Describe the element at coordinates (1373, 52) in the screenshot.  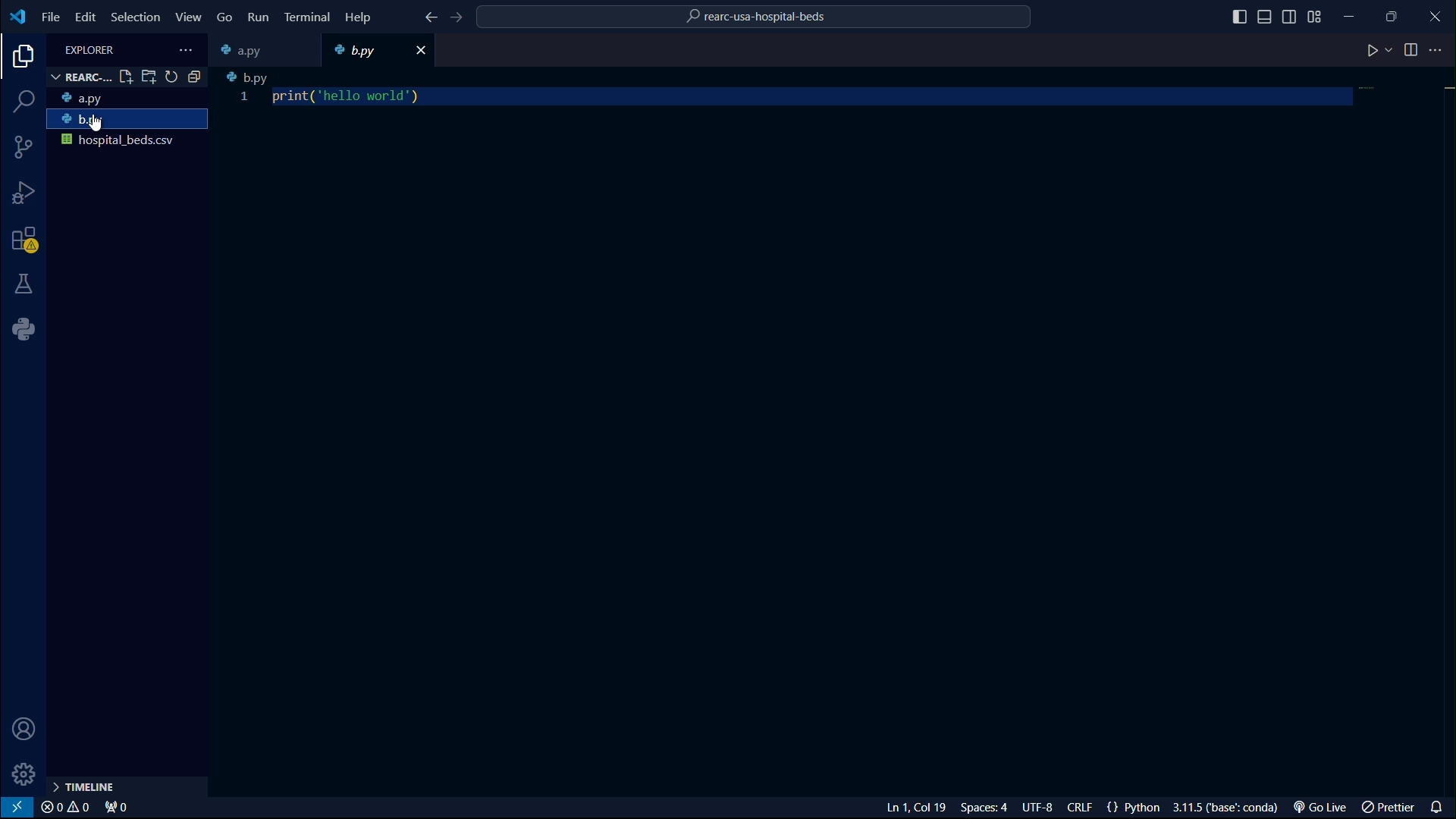
I see `run code` at that location.